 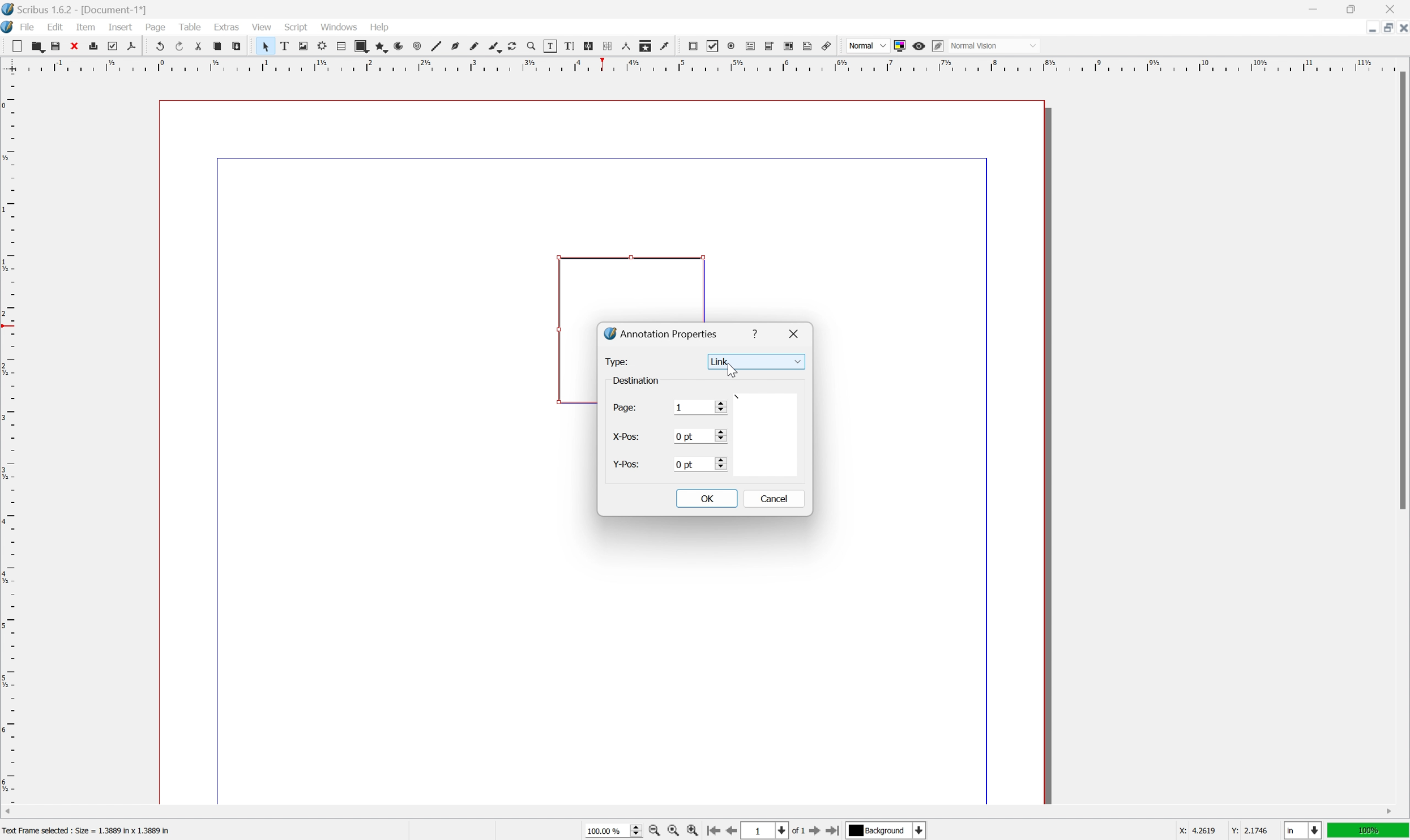 I want to click on 0 pt, so click(x=699, y=436).